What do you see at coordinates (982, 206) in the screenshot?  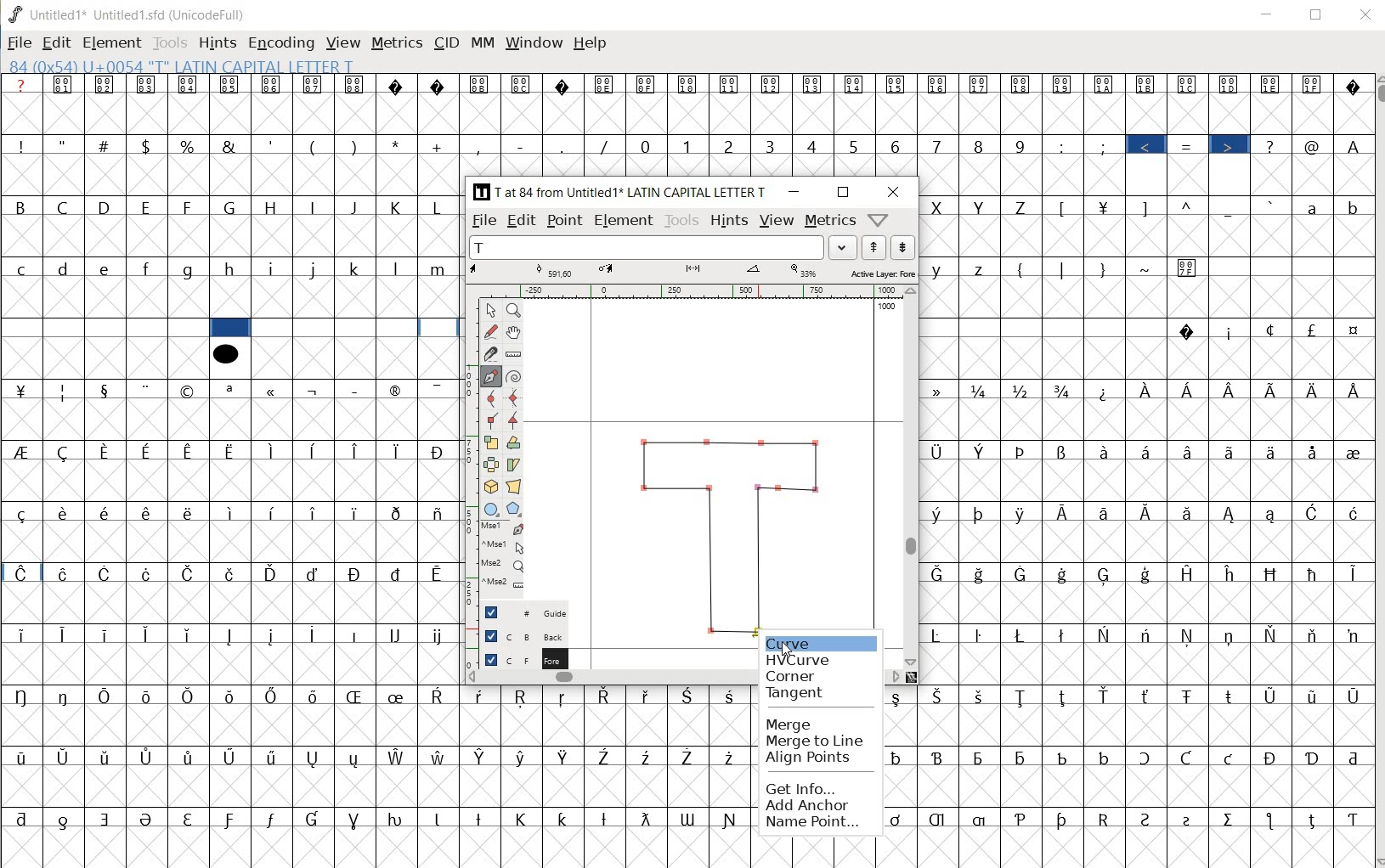 I see `Y` at bounding box center [982, 206].